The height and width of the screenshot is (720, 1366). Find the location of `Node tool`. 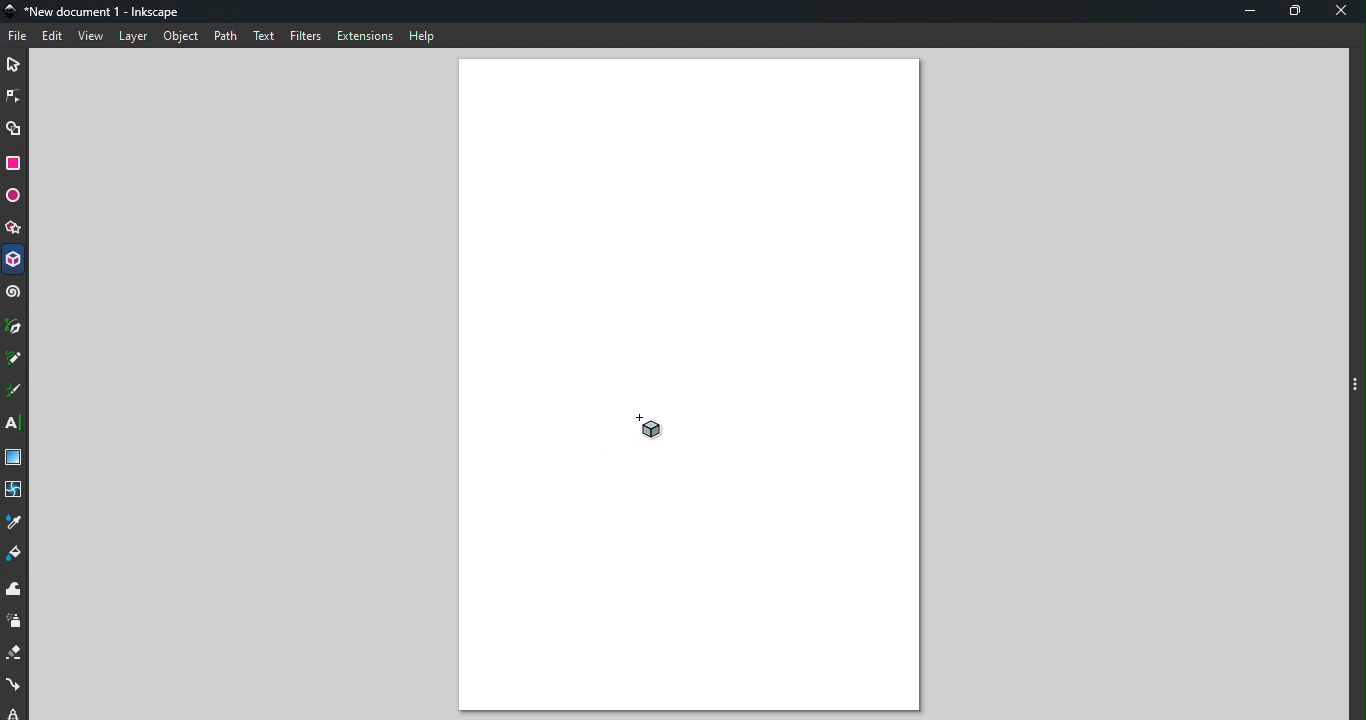

Node tool is located at coordinates (14, 98).